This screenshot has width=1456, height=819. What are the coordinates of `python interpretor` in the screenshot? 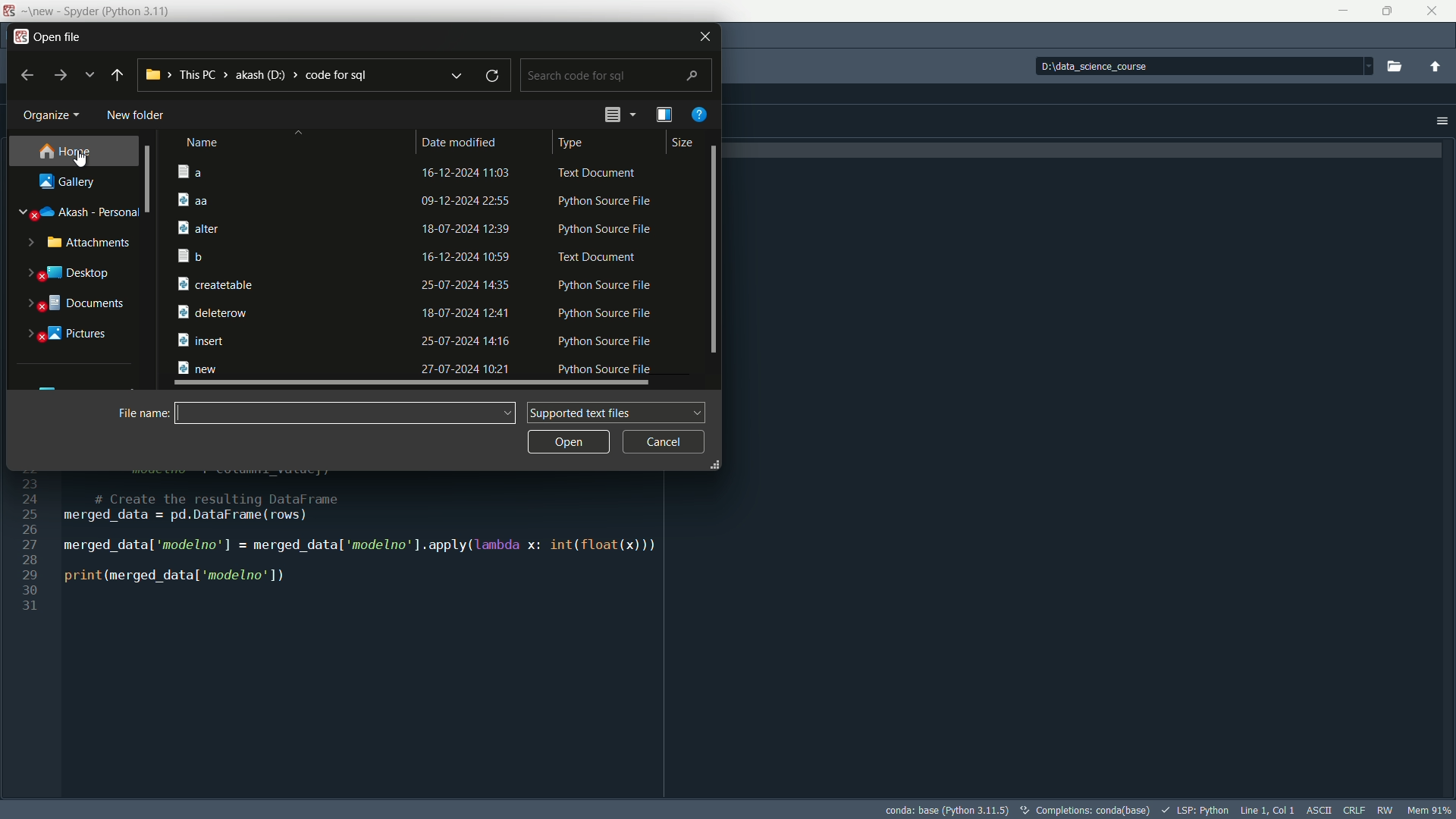 It's located at (946, 810).